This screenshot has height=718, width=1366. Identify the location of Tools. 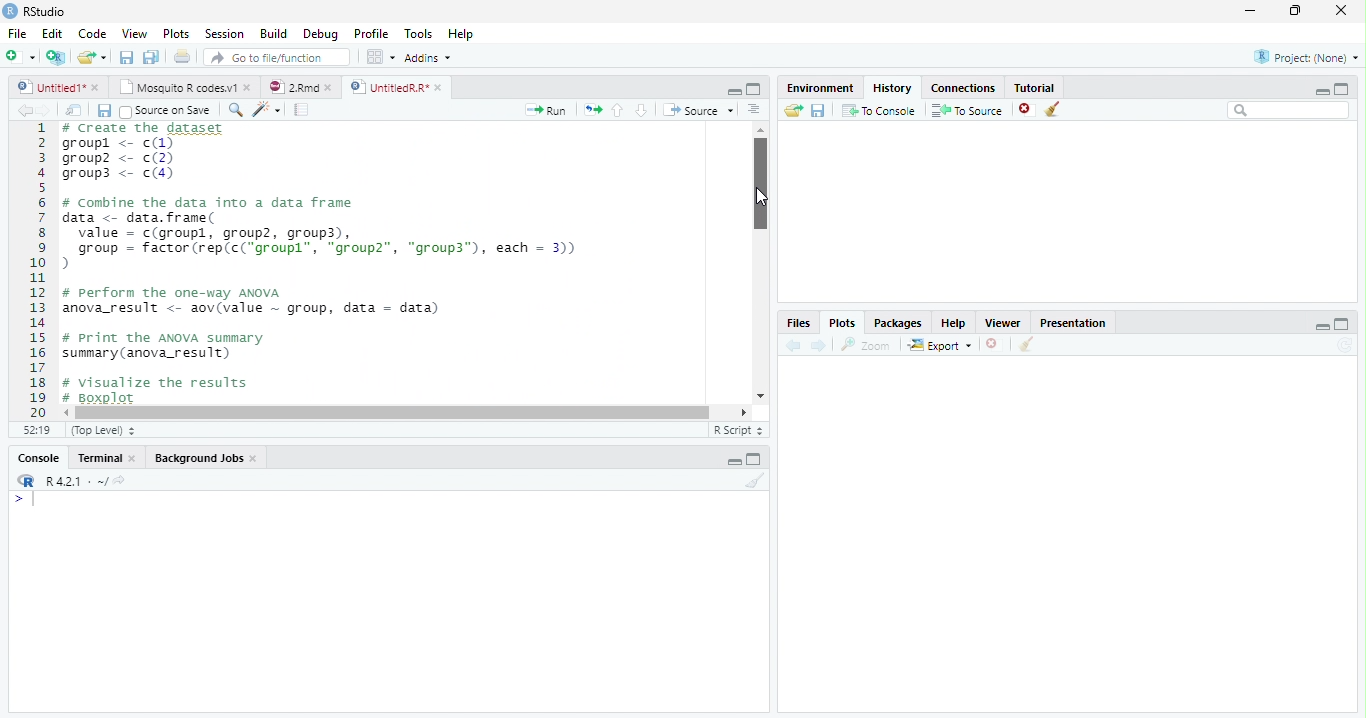
(420, 33).